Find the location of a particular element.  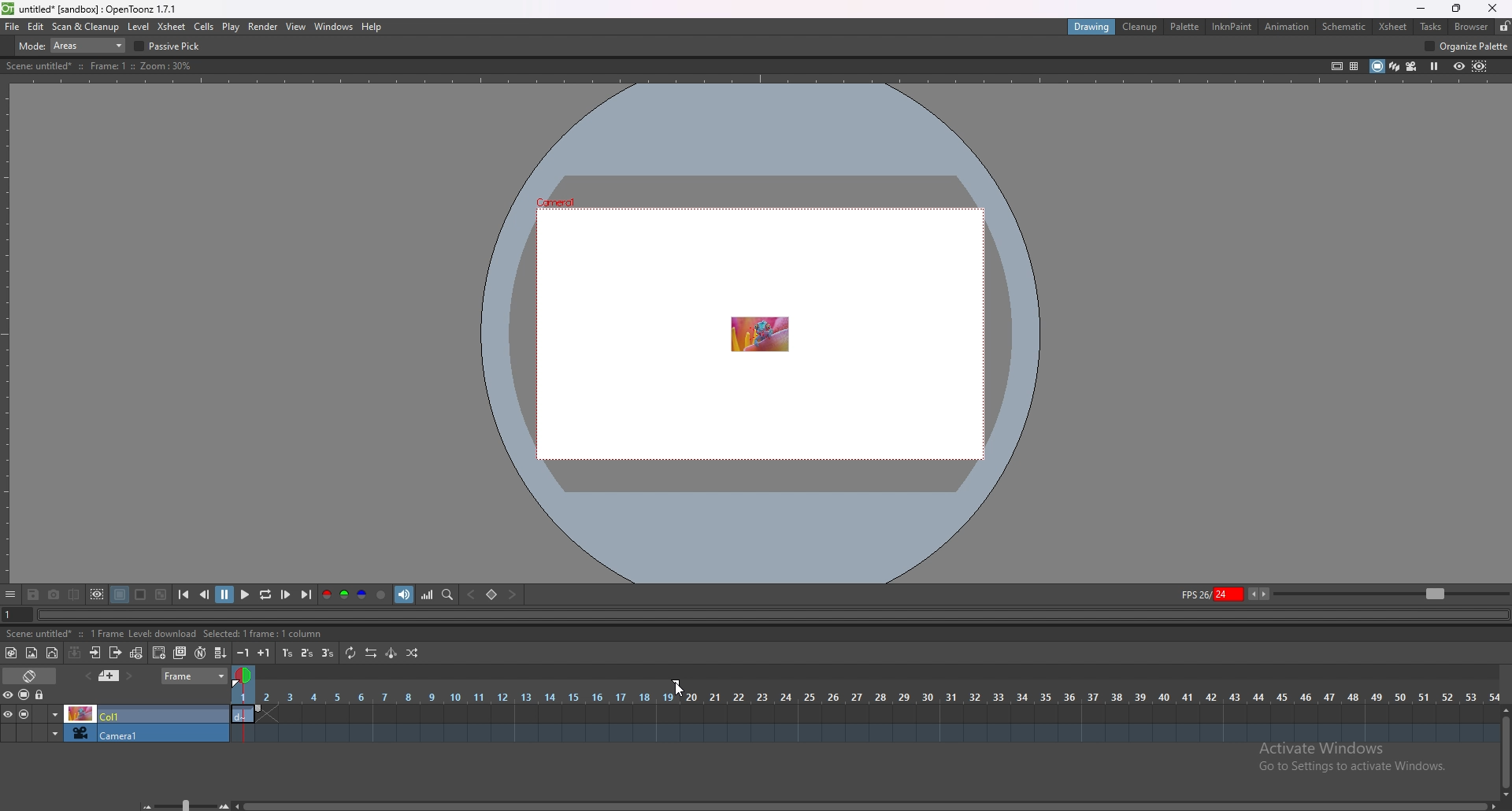

reframe on 1s is located at coordinates (287, 654).